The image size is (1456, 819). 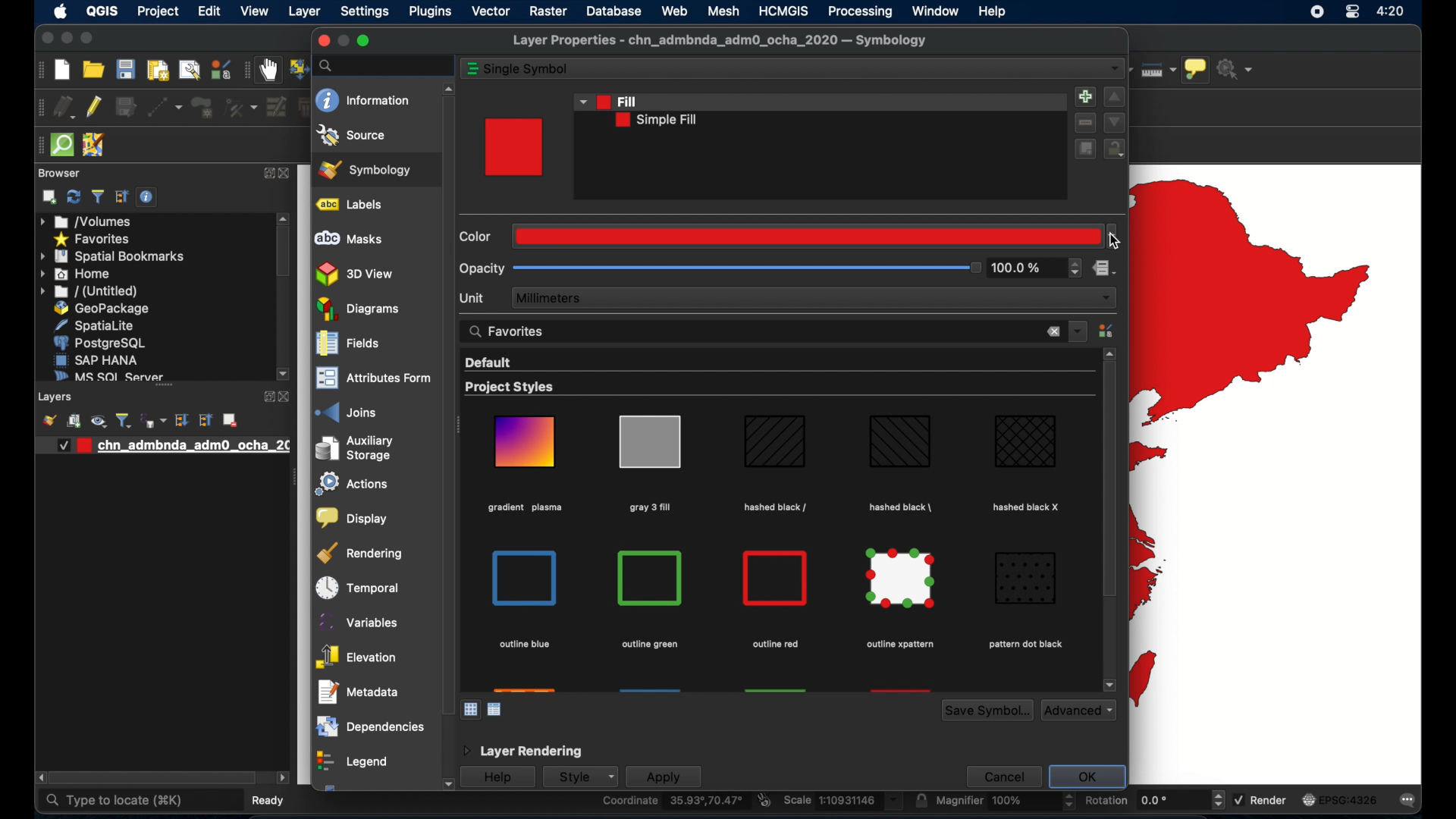 What do you see at coordinates (45, 40) in the screenshot?
I see `close` at bounding box center [45, 40].